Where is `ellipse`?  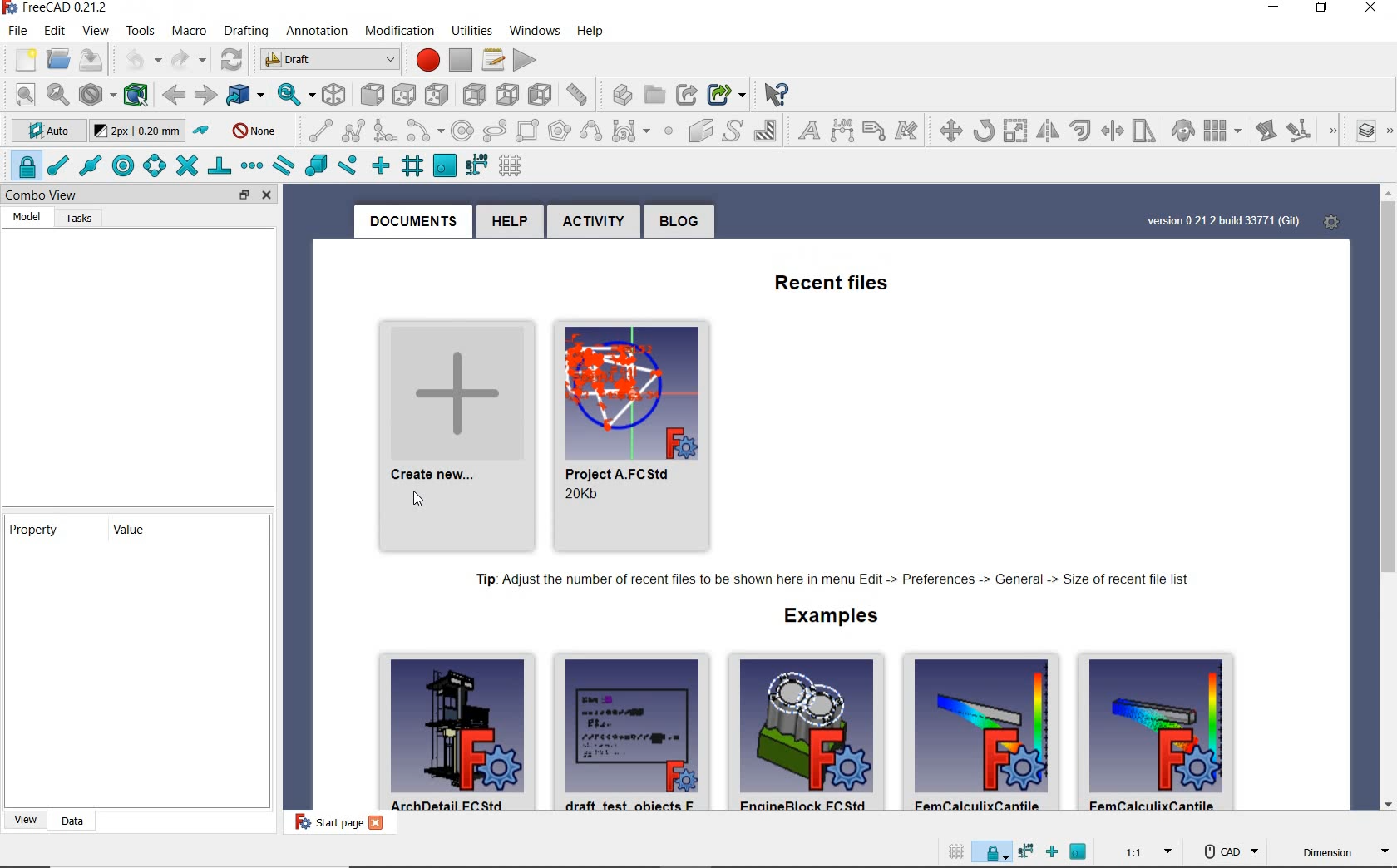 ellipse is located at coordinates (494, 131).